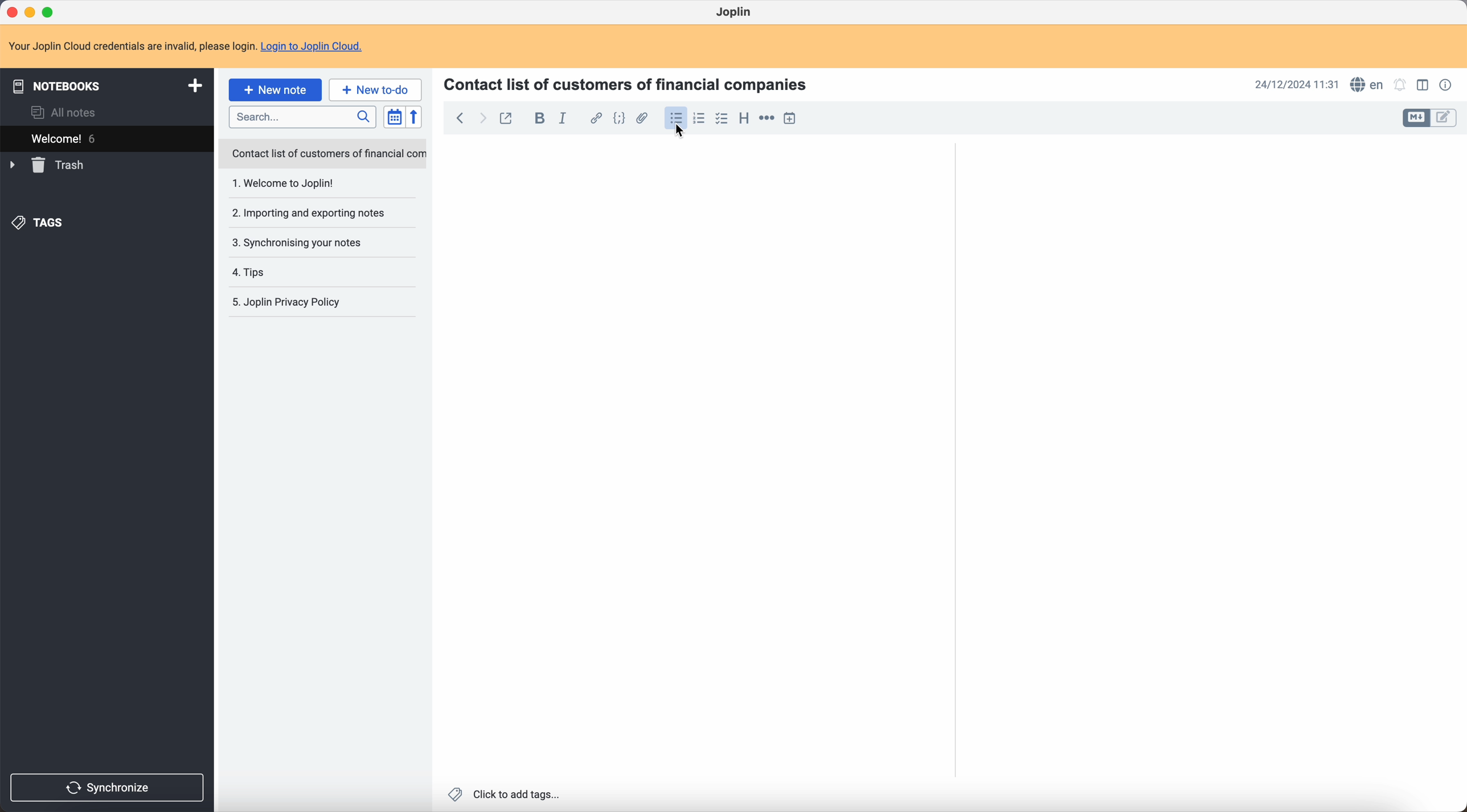  Describe the element at coordinates (64, 111) in the screenshot. I see `all notes` at that location.